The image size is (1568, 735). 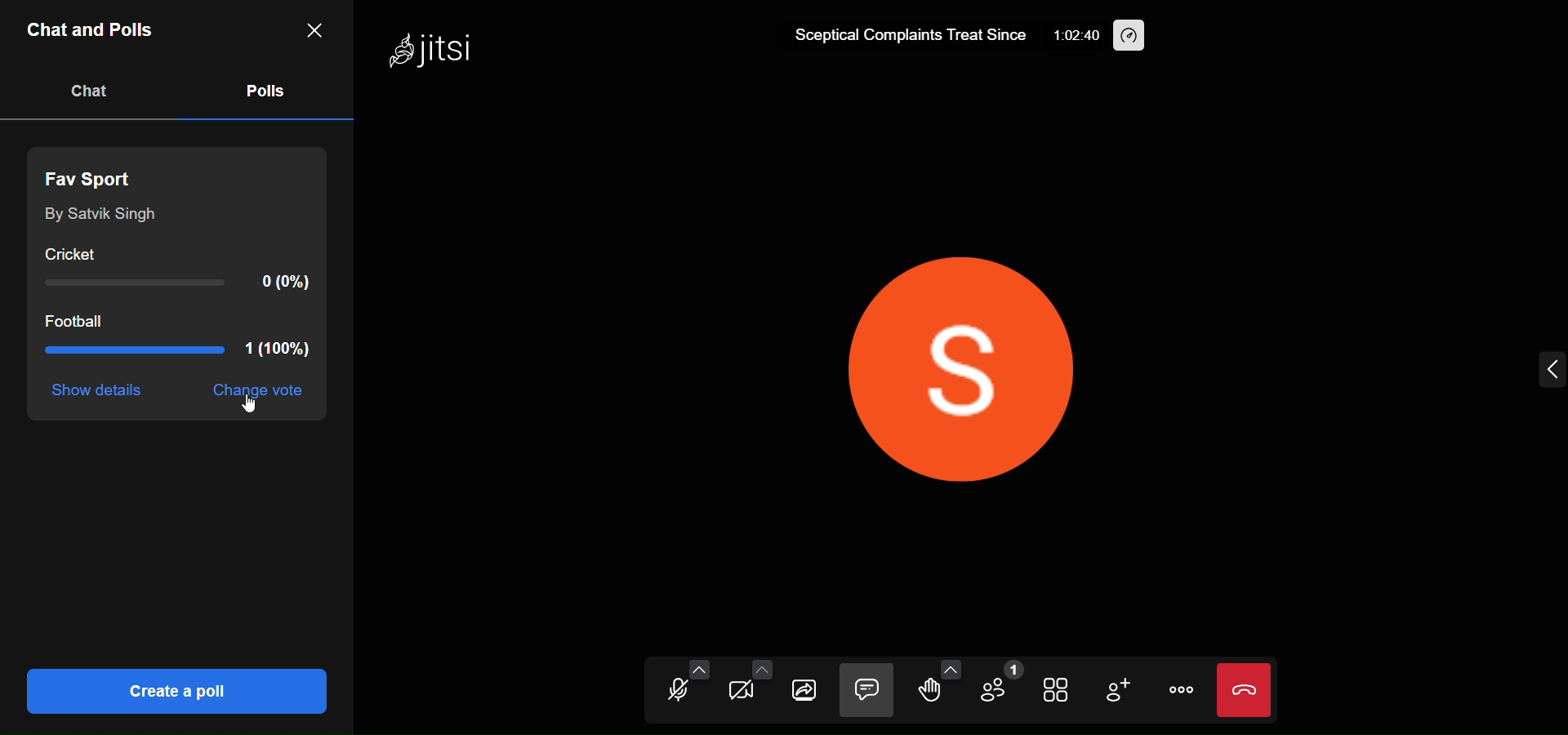 I want to click on leave call, so click(x=1244, y=690).